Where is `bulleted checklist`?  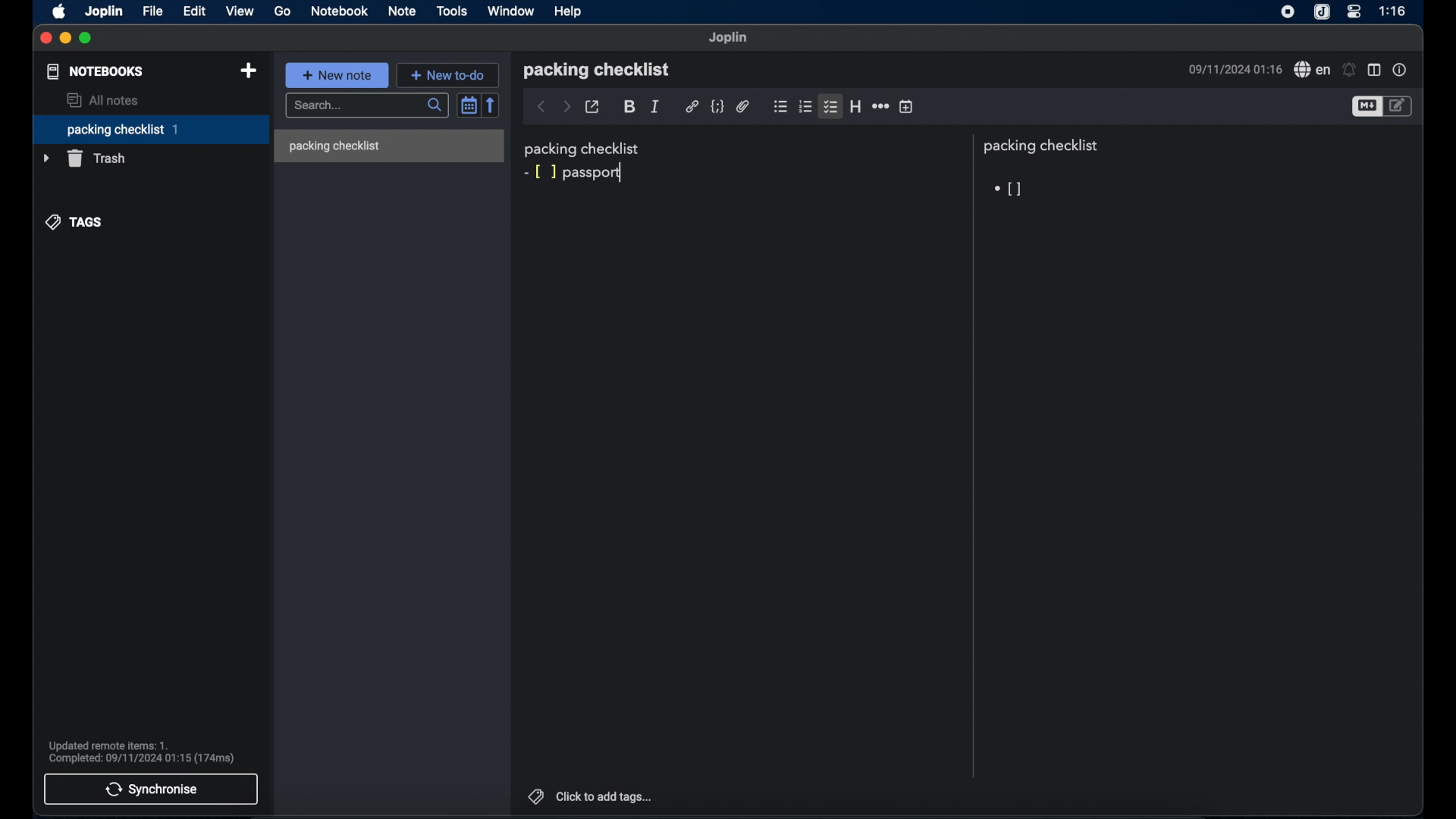
bulleted checklist is located at coordinates (830, 108).